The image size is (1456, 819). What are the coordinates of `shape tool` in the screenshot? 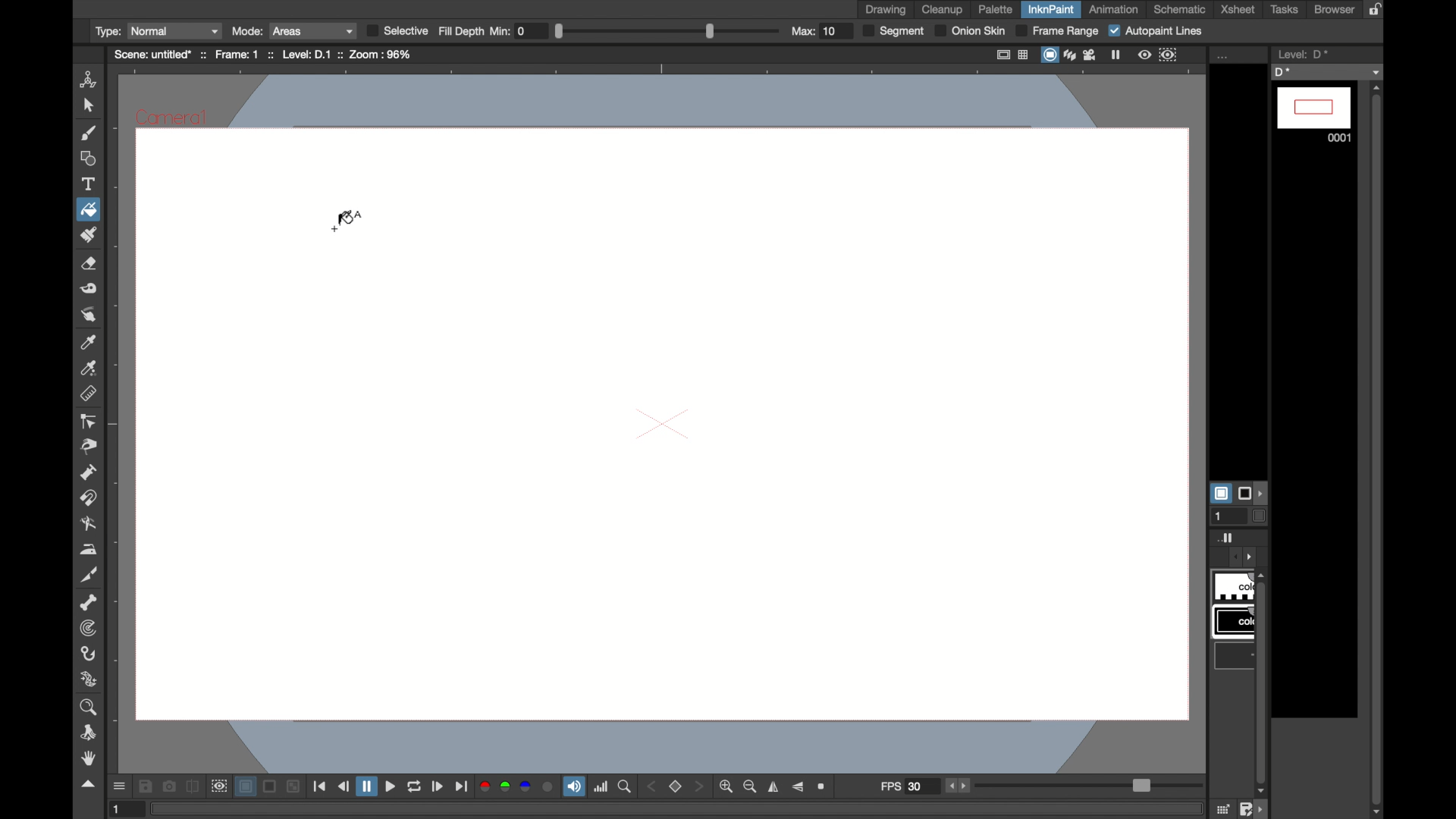 It's located at (86, 158).